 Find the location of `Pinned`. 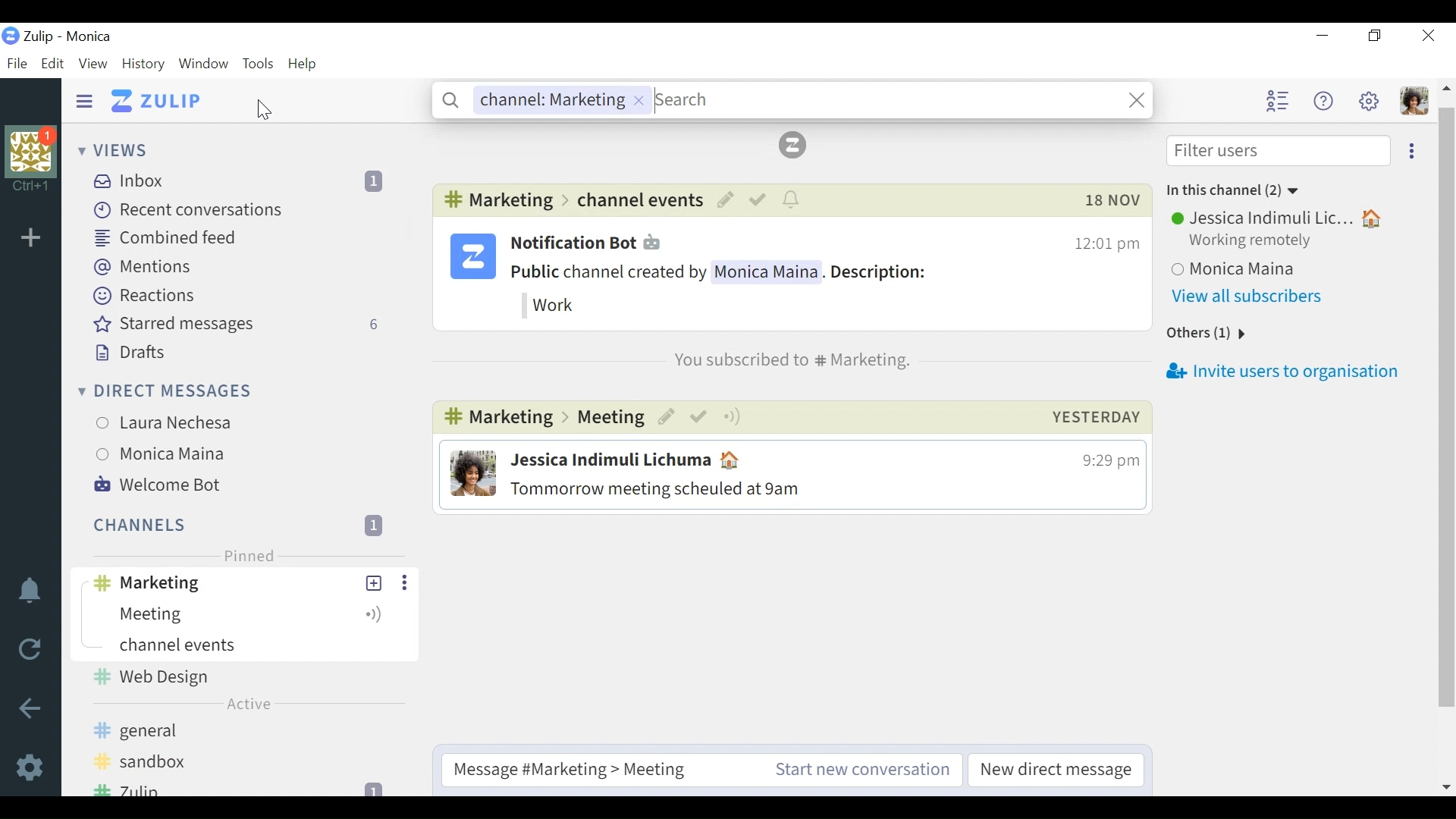

Pinned is located at coordinates (248, 557).